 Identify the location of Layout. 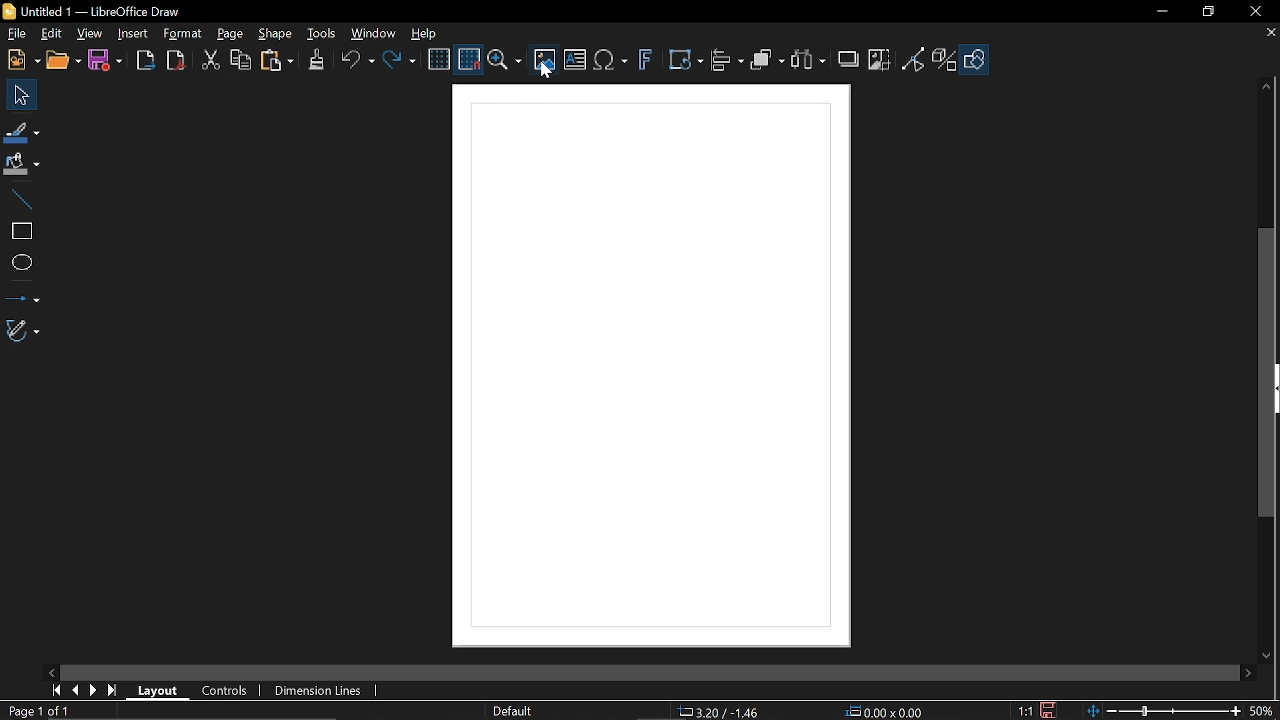
(157, 690).